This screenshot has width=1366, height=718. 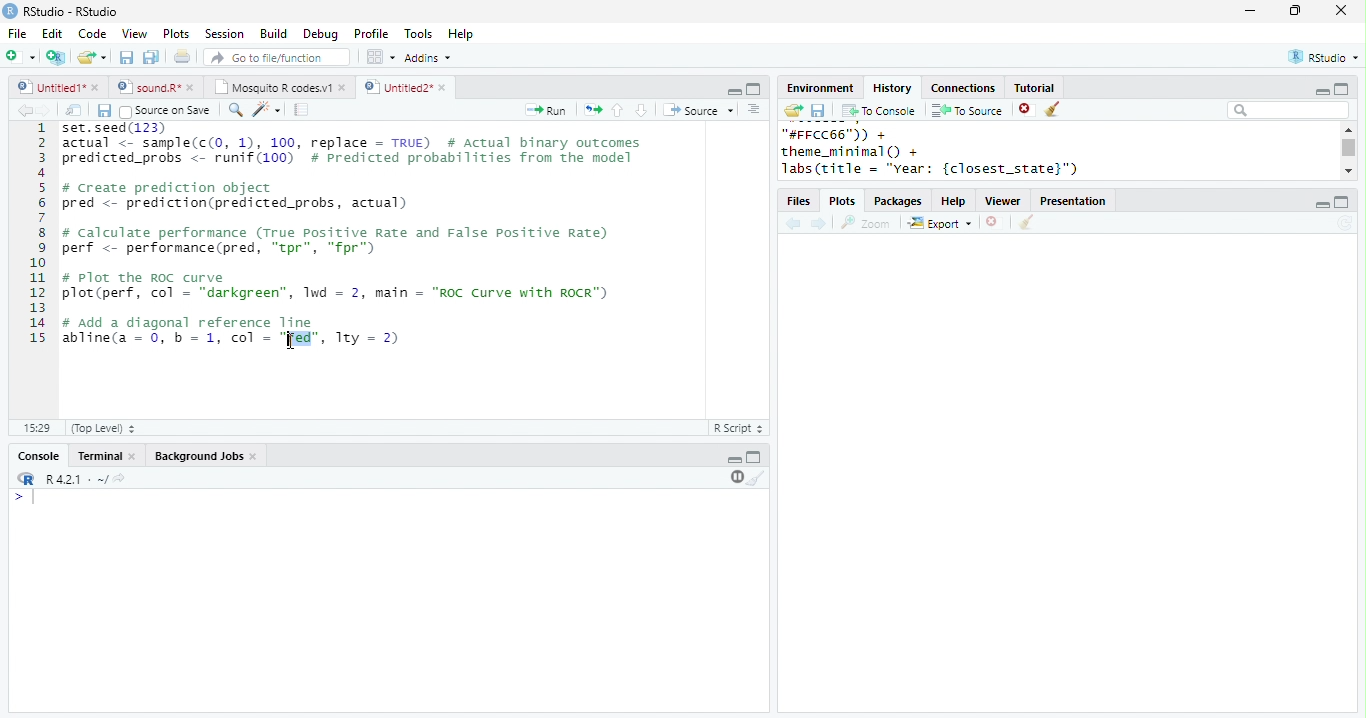 I want to click on search bar, so click(x=1288, y=109).